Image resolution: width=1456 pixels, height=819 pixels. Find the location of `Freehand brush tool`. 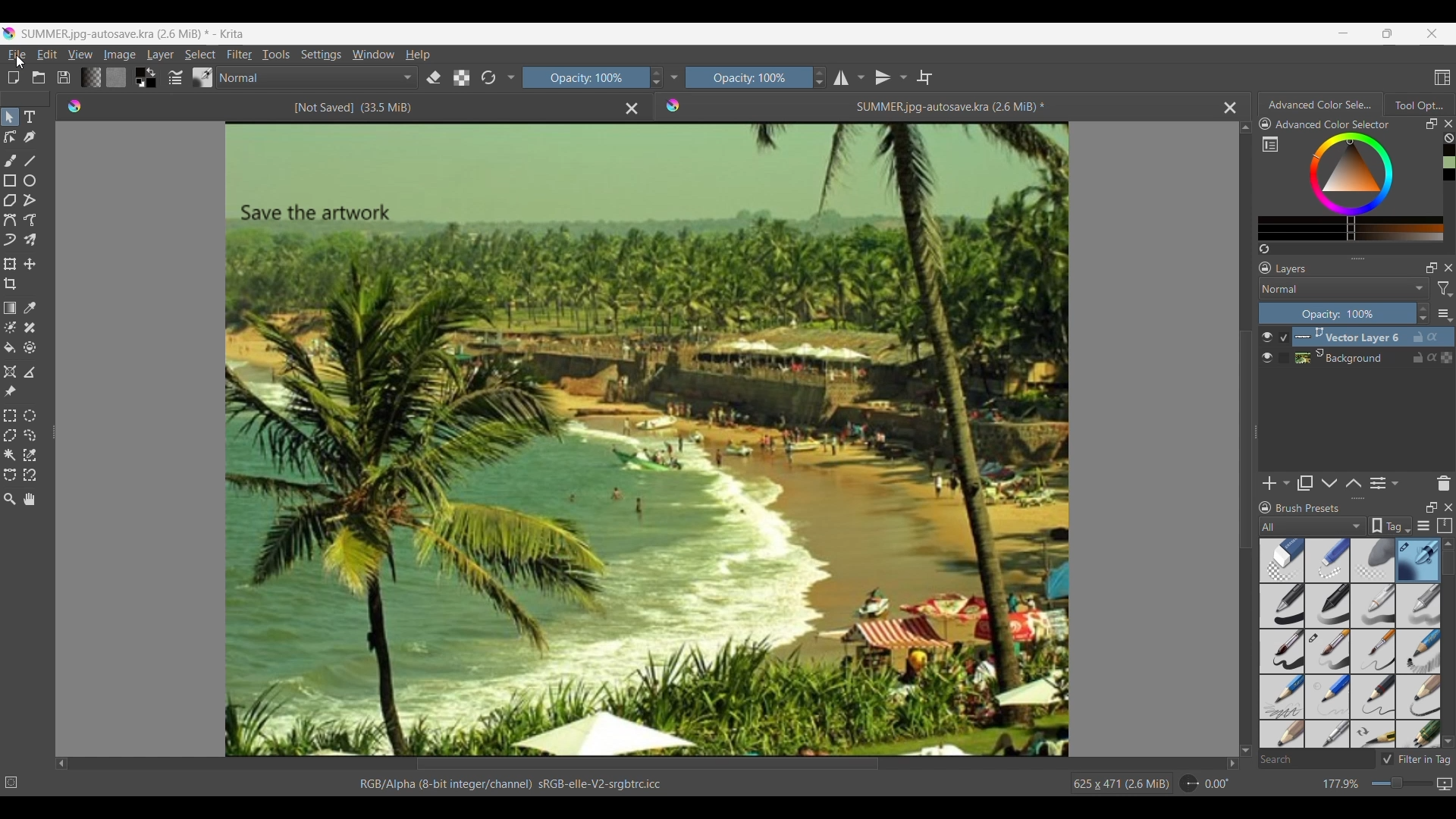

Freehand brush tool is located at coordinates (10, 160).